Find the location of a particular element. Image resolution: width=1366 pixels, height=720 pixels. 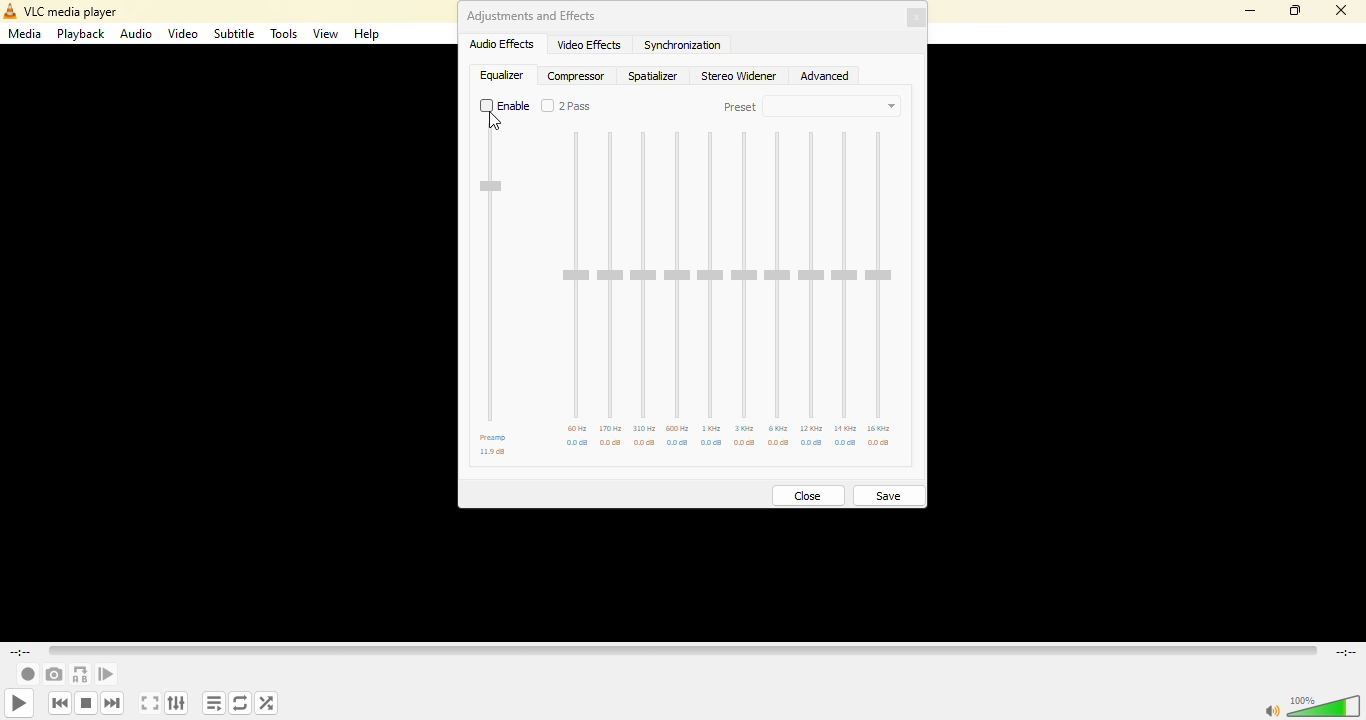

stereo widener is located at coordinates (740, 78).